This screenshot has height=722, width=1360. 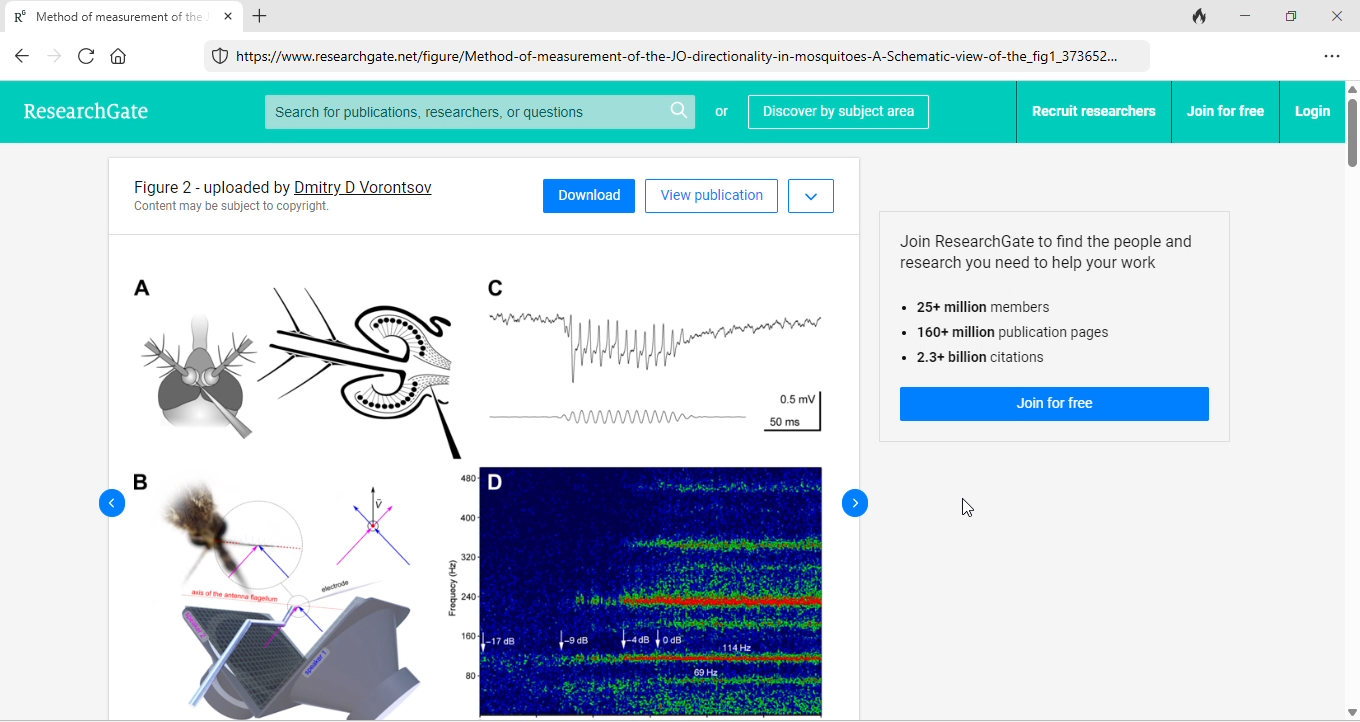 What do you see at coordinates (812, 195) in the screenshot?
I see `options` at bounding box center [812, 195].